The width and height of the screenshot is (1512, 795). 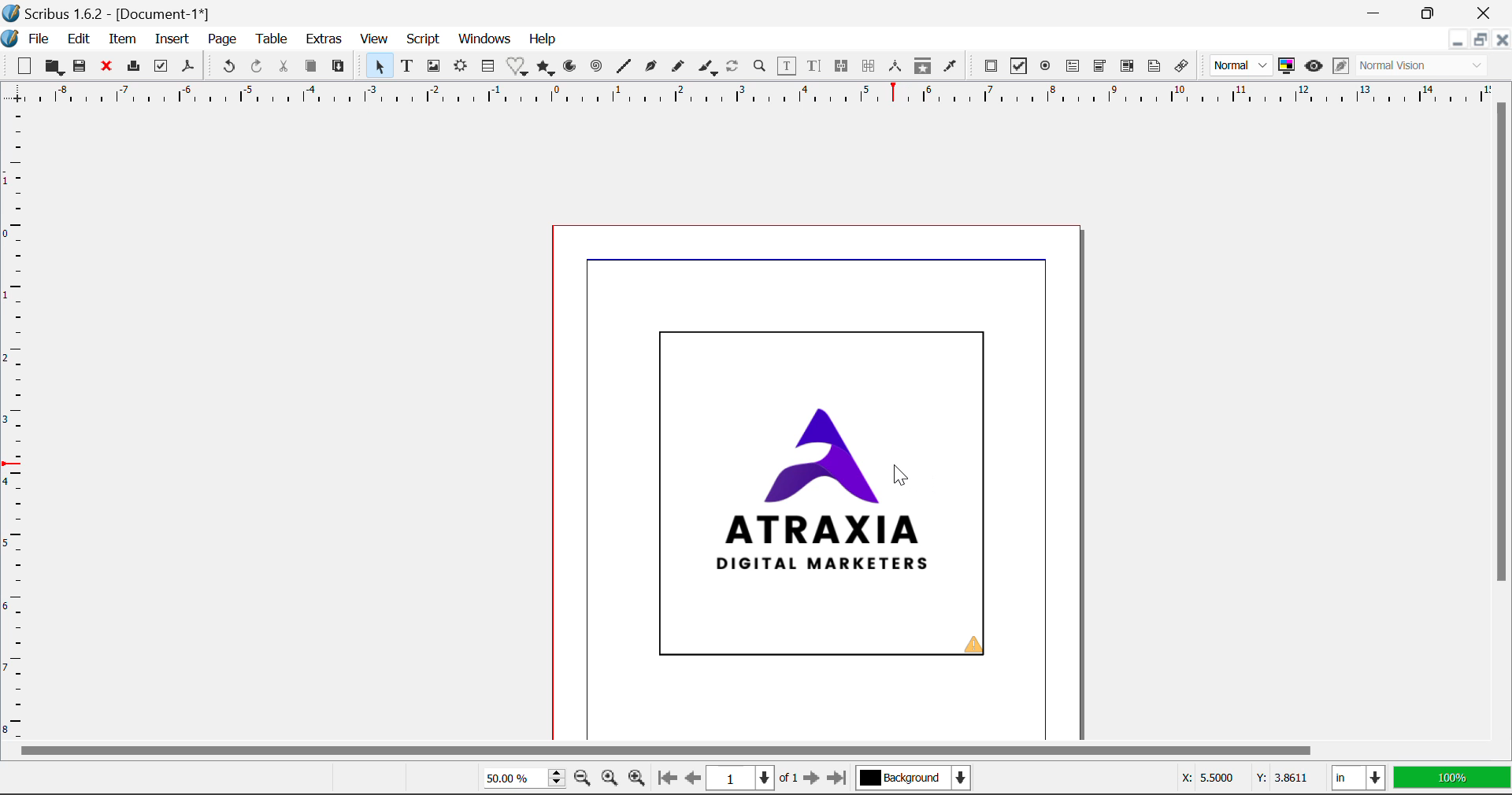 What do you see at coordinates (544, 40) in the screenshot?
I see `Help` at bounding box center [544, 40].